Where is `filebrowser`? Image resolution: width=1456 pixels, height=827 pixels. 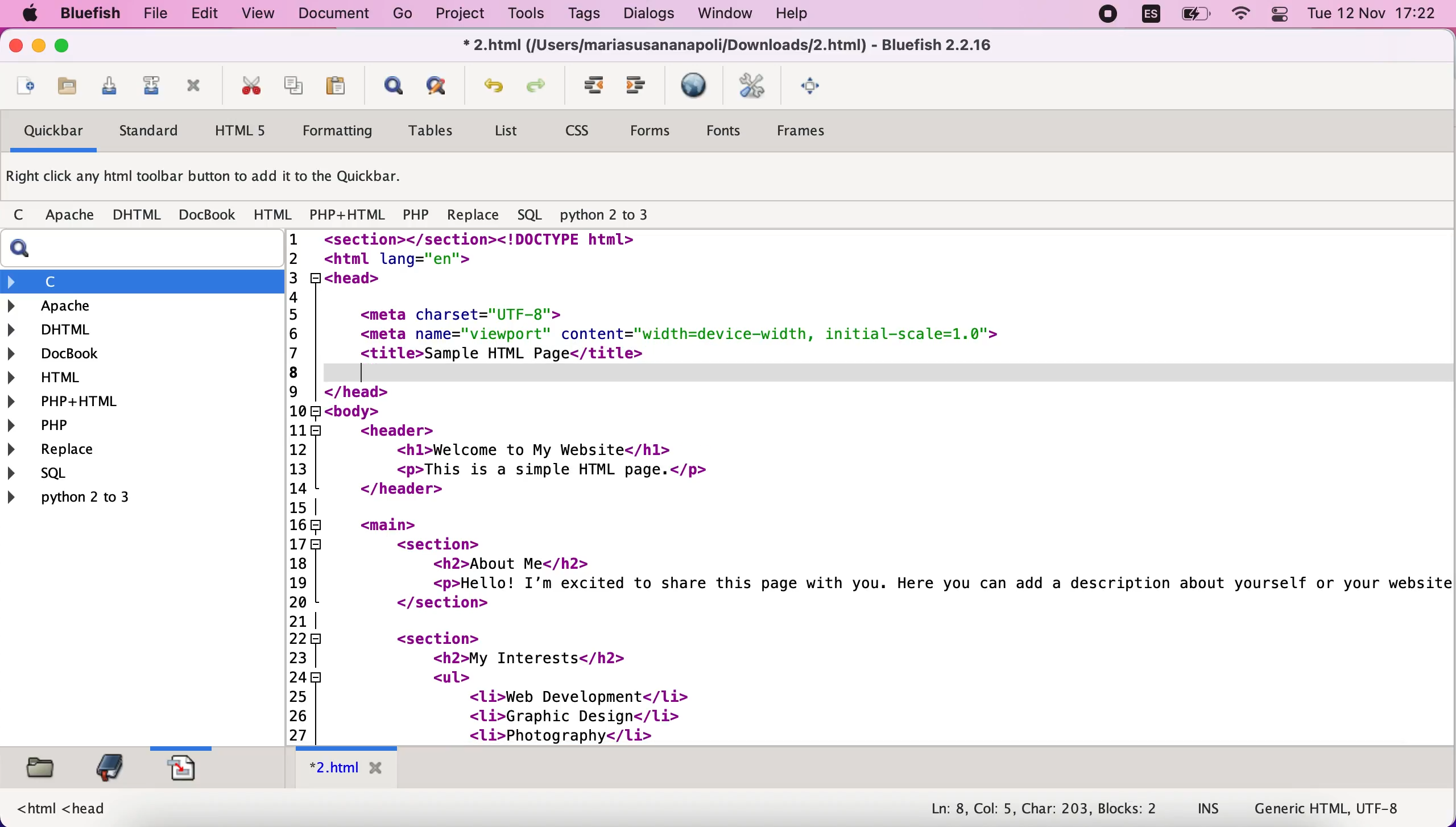 filebrowser is located at coordinates (43, 770).